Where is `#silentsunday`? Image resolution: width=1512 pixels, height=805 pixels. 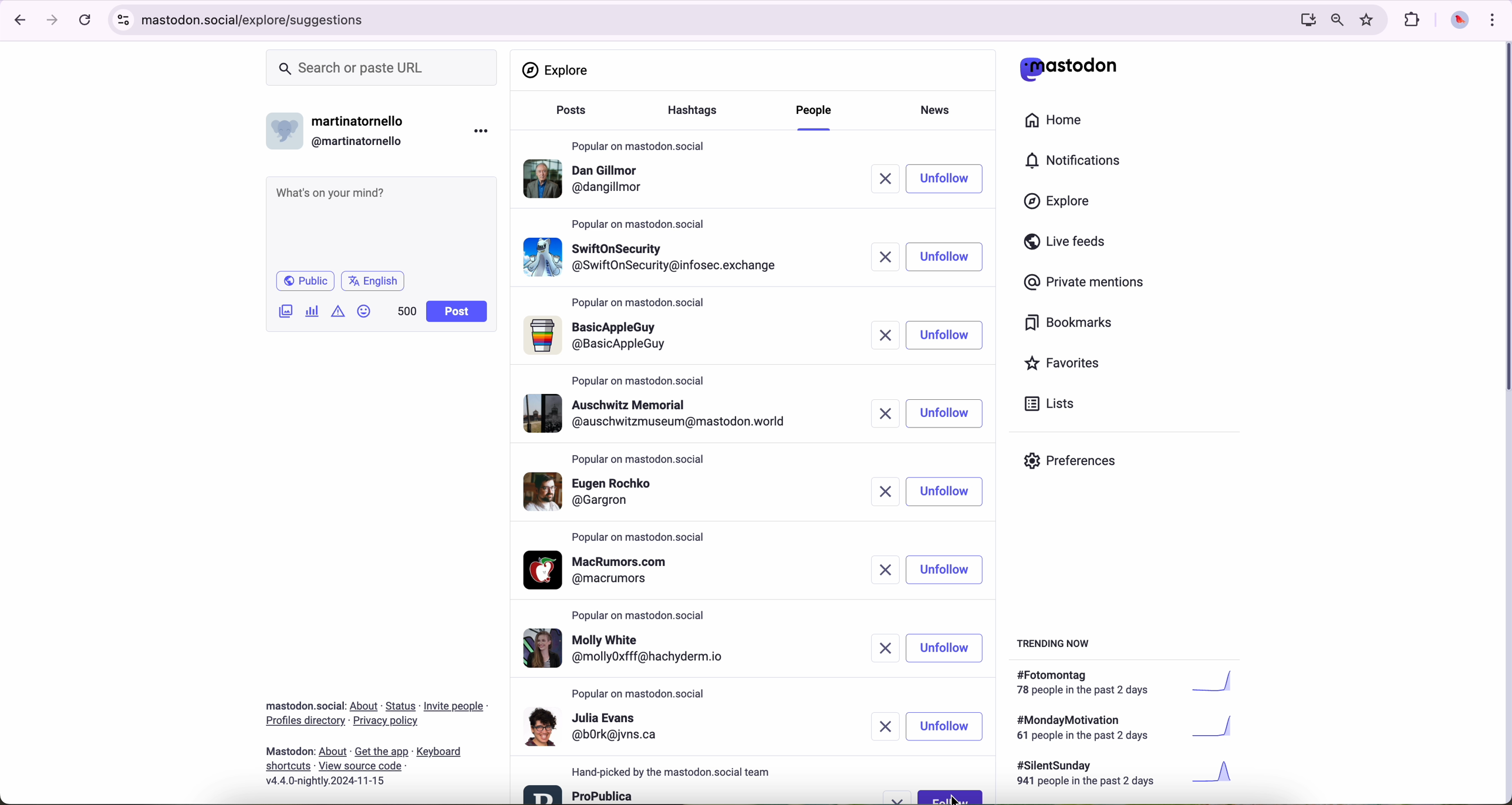
#silentsunday is located at coordinates (1128, 775).